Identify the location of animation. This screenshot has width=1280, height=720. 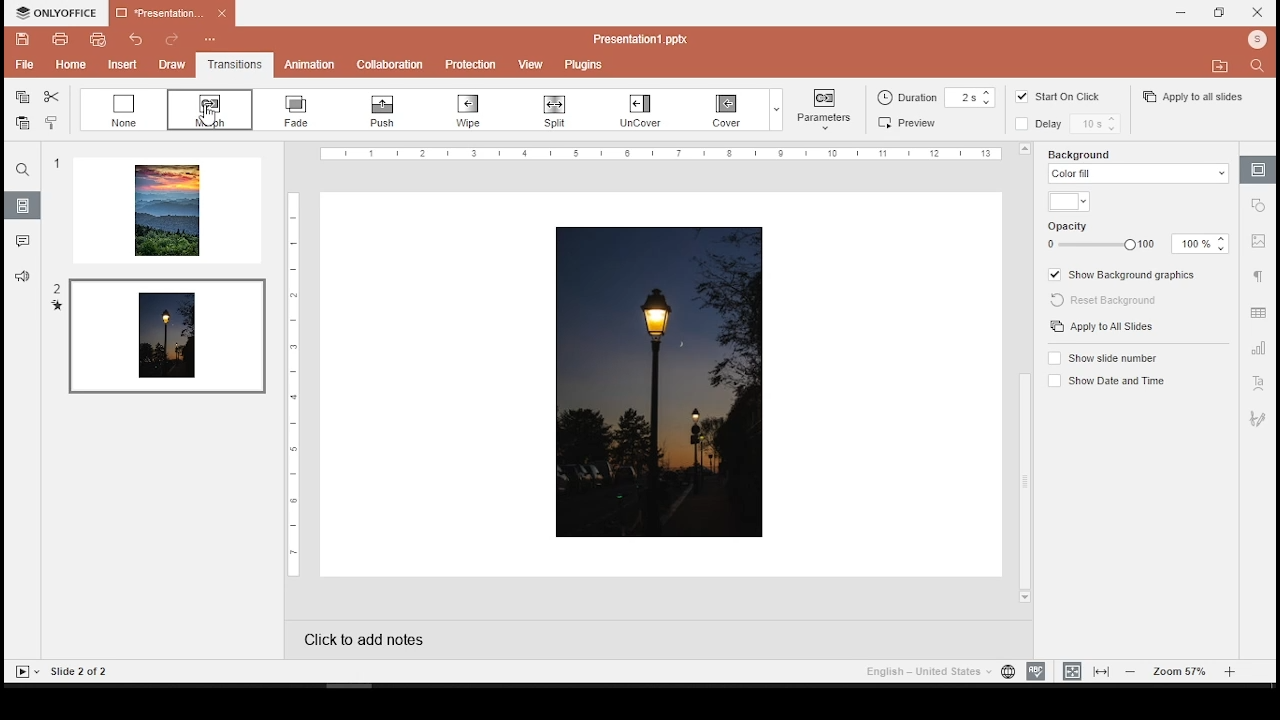
(311, 65).